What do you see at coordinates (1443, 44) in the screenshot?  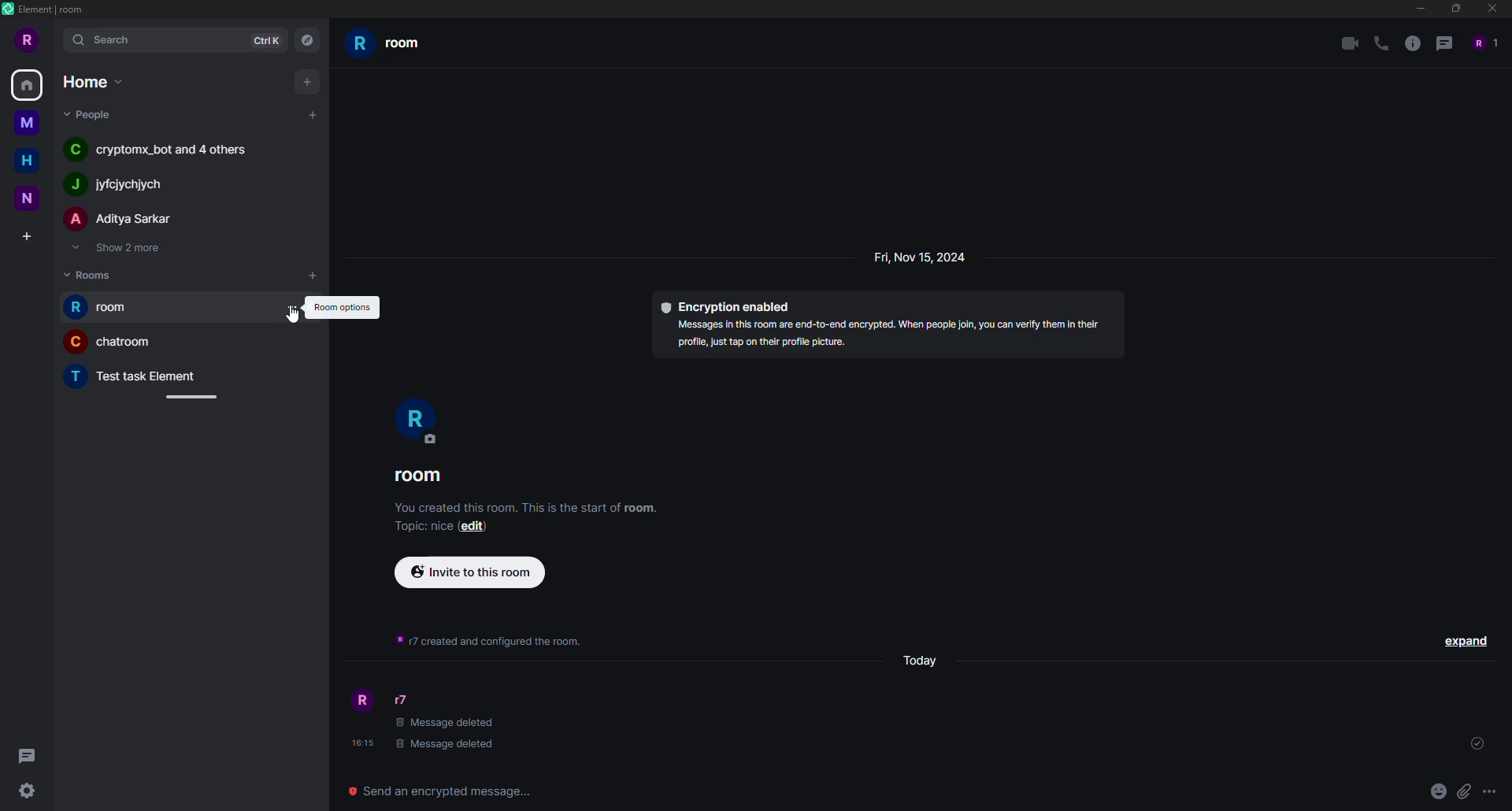 I see `threads` at bounding box center [1443, 44].